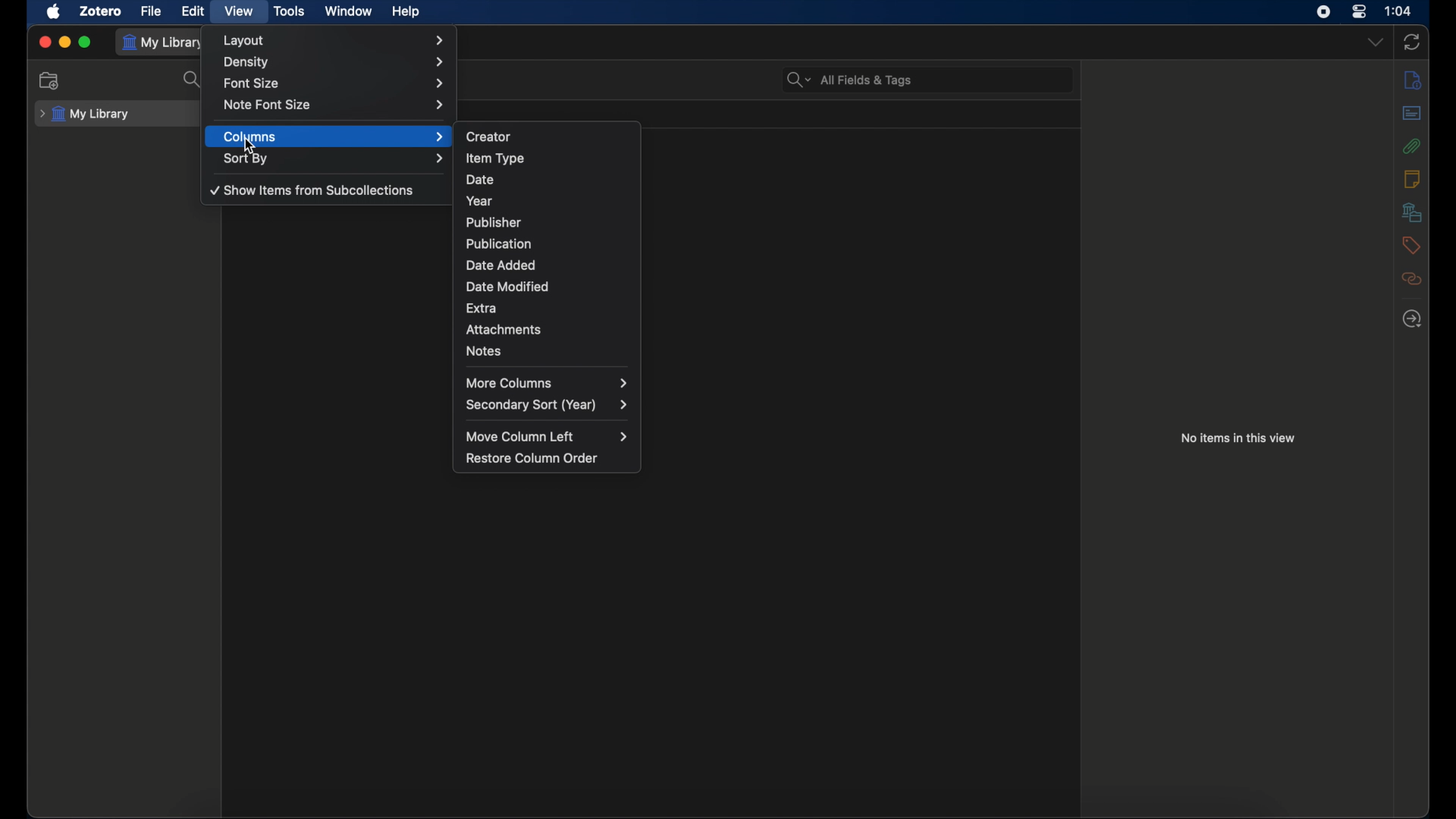 The width and height of the screenshot is (1456, 819). What do you see at coordinates (1411, 278) in the screenshot?
I see `related` at bounding box center [1411, 278].